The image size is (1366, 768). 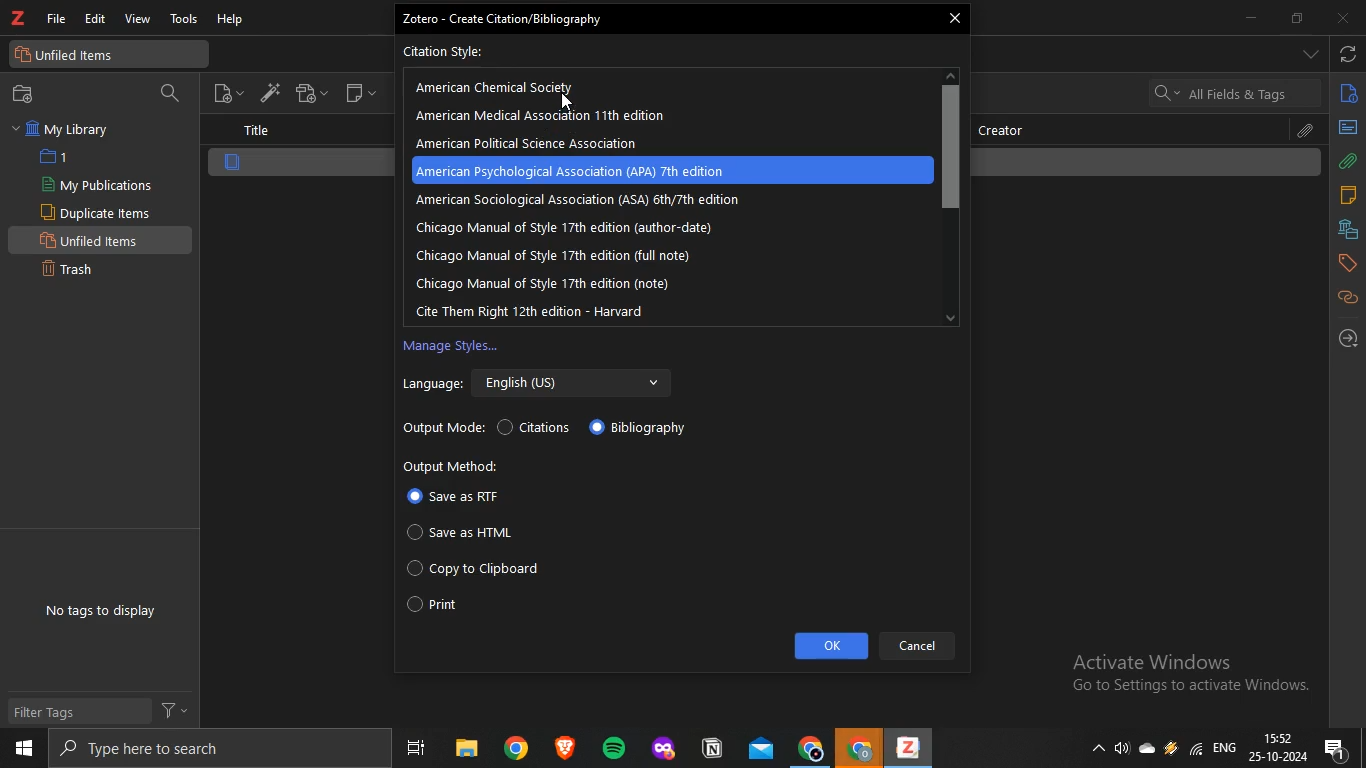 What do you see at coordinates (860, 748) in the screenshot?
I see `chrome` at bounding box center [860, 748].